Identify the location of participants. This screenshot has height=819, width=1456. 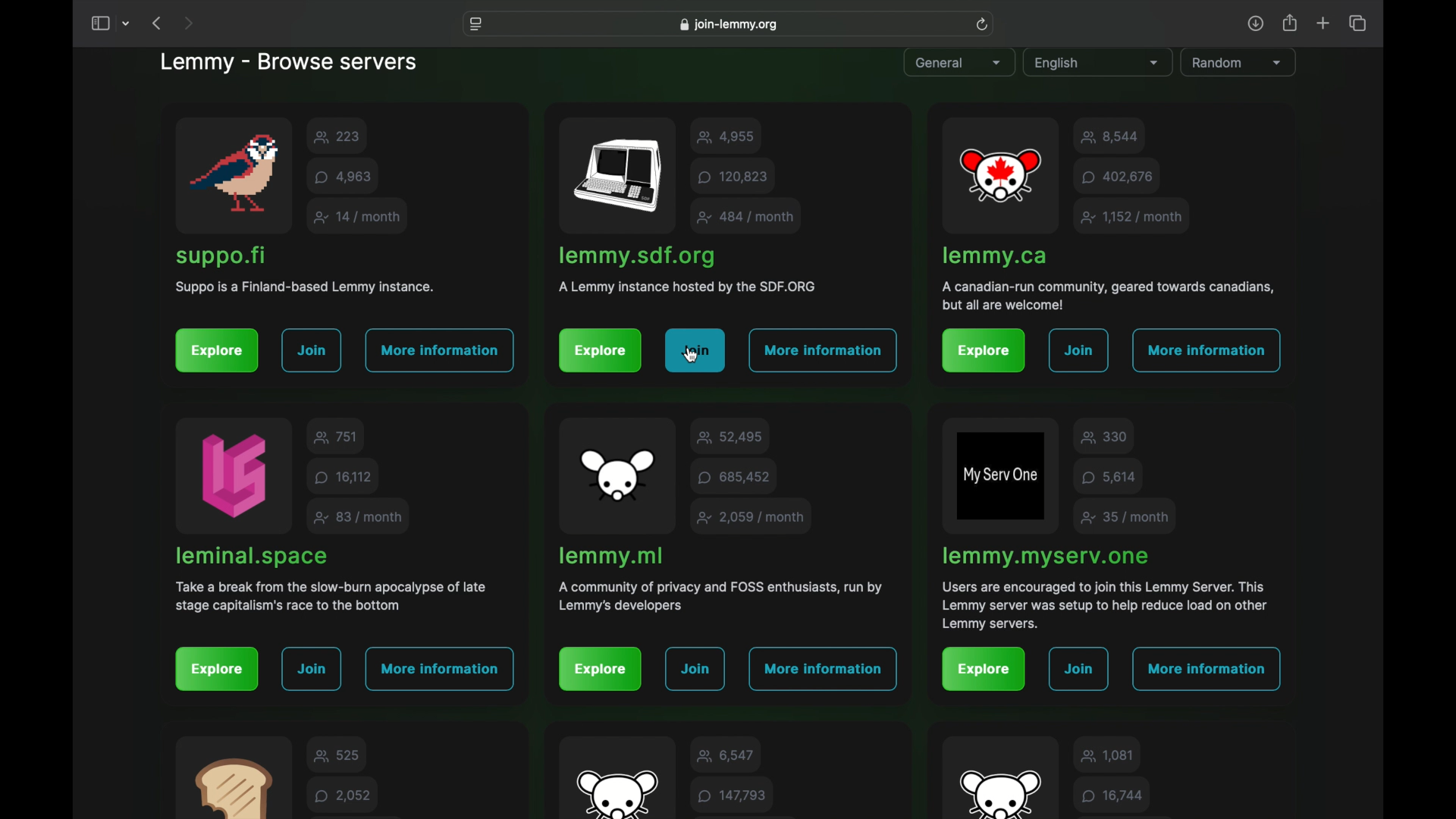
(729, 136).